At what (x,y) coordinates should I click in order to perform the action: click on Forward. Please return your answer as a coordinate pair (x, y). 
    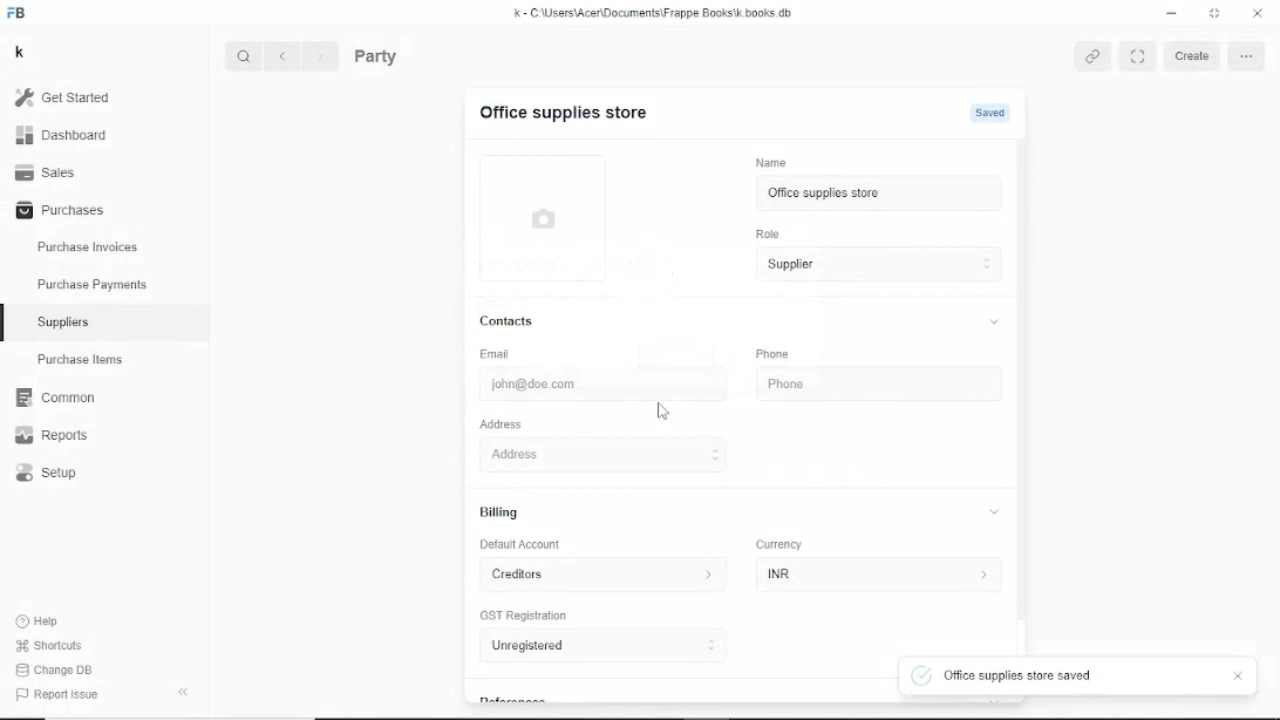
    Looking at the image, I should click on (322, 55).